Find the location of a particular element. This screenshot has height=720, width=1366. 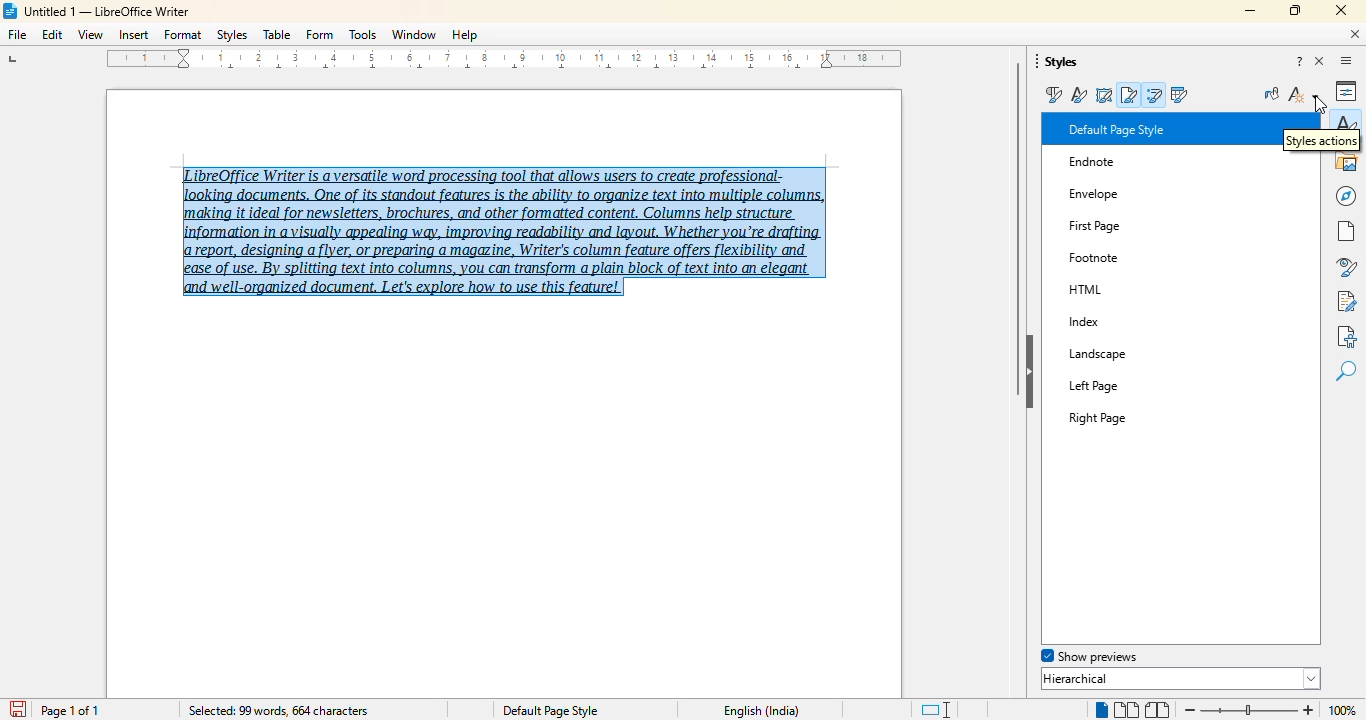

styles is located at coordinates (232, 35).